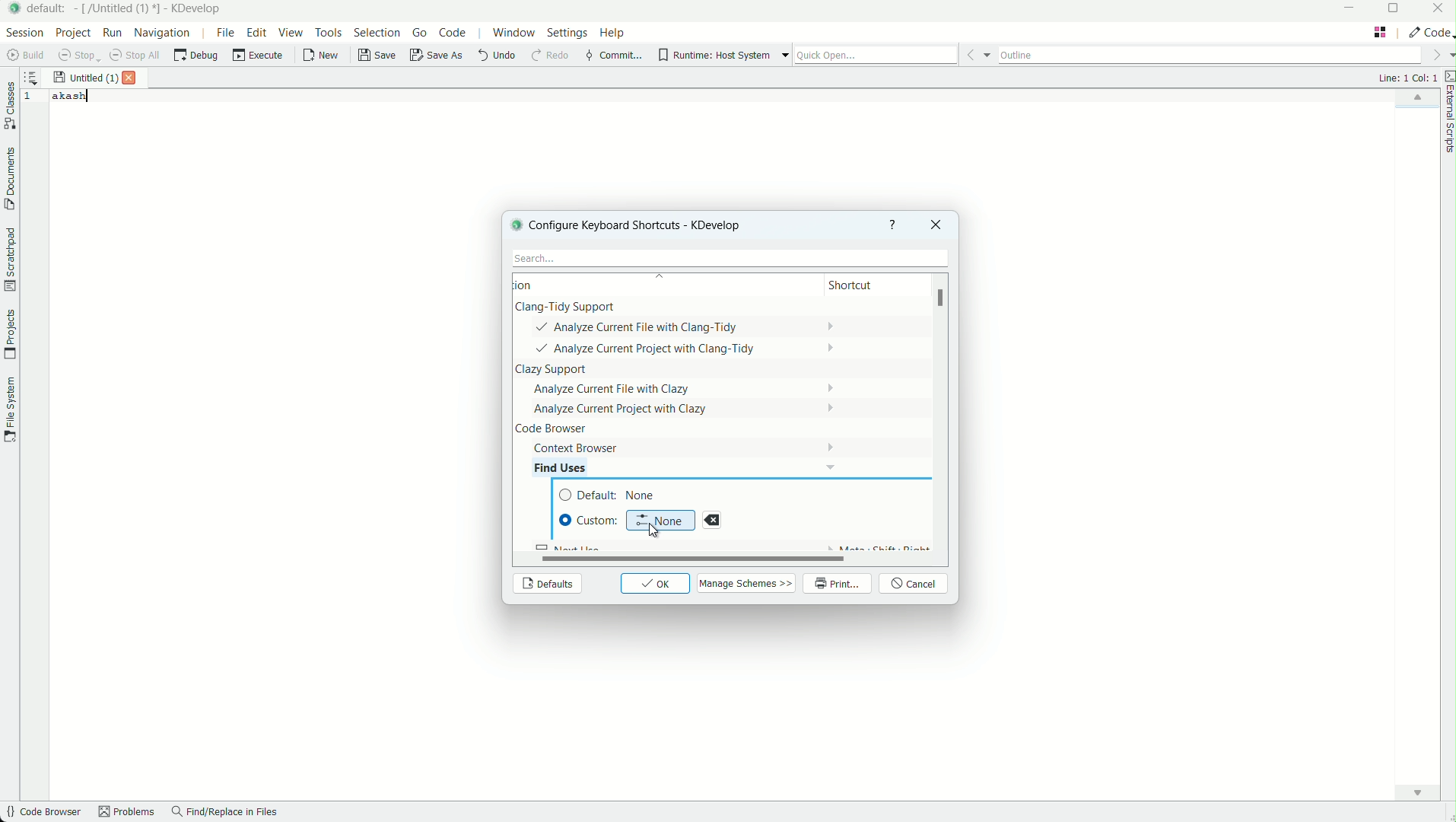 This screenshot has height=822, width=1456. Describe the element at coordinates (656, 584) in the screenshot. I see `ok` at that location.